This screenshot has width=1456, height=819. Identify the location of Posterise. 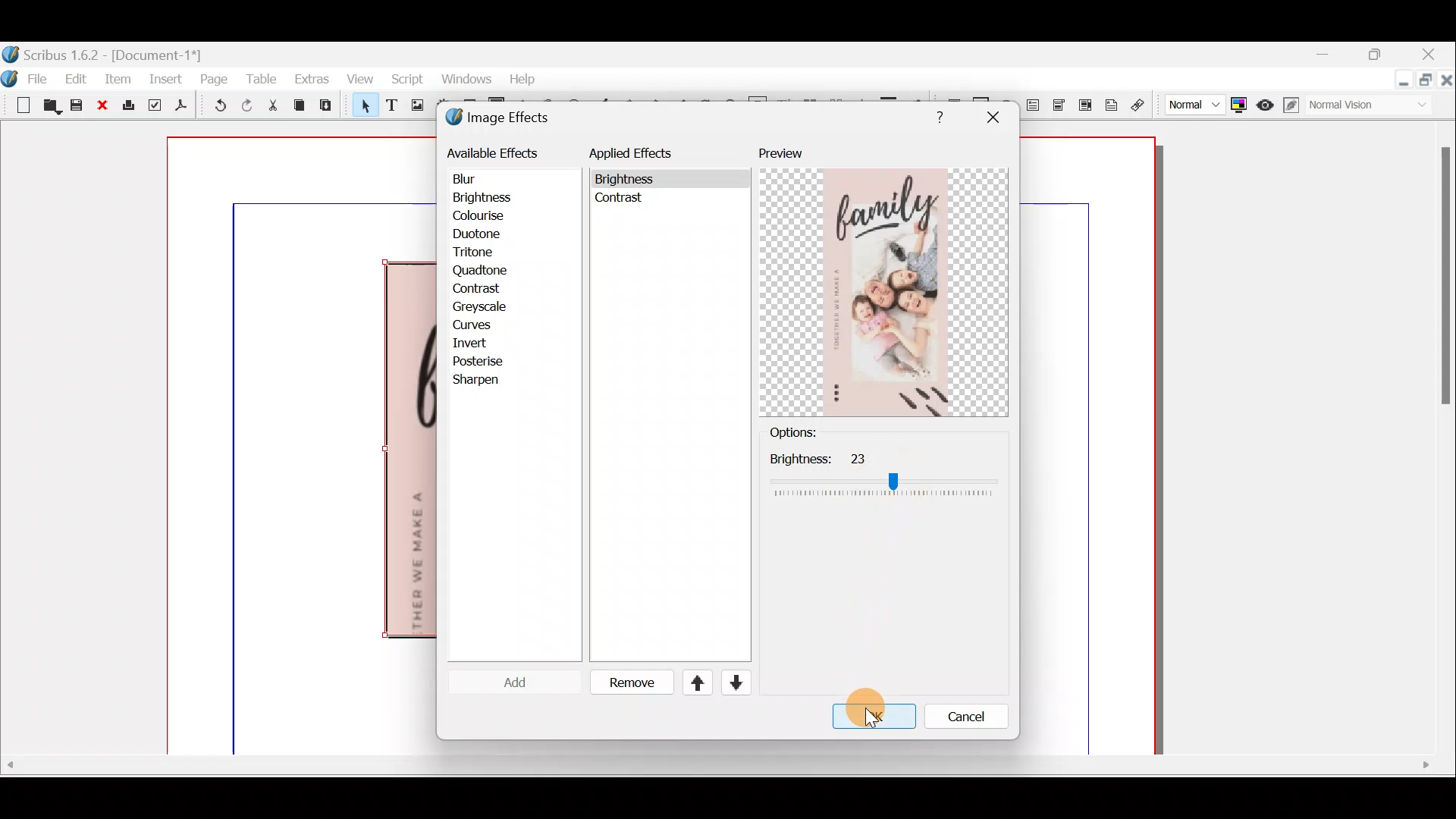
(488, 361).